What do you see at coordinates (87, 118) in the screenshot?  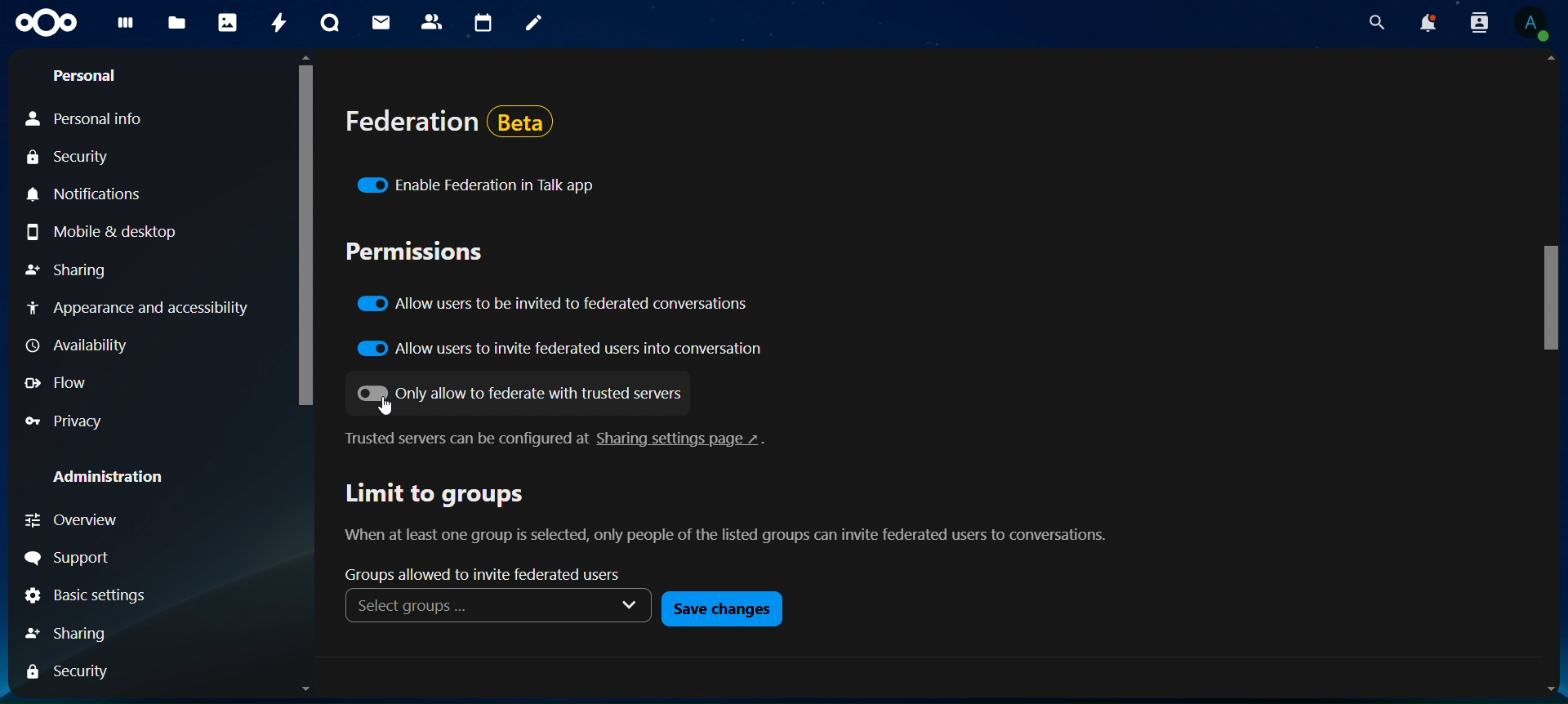 I see `personal info` at bounding box center [87, 118].